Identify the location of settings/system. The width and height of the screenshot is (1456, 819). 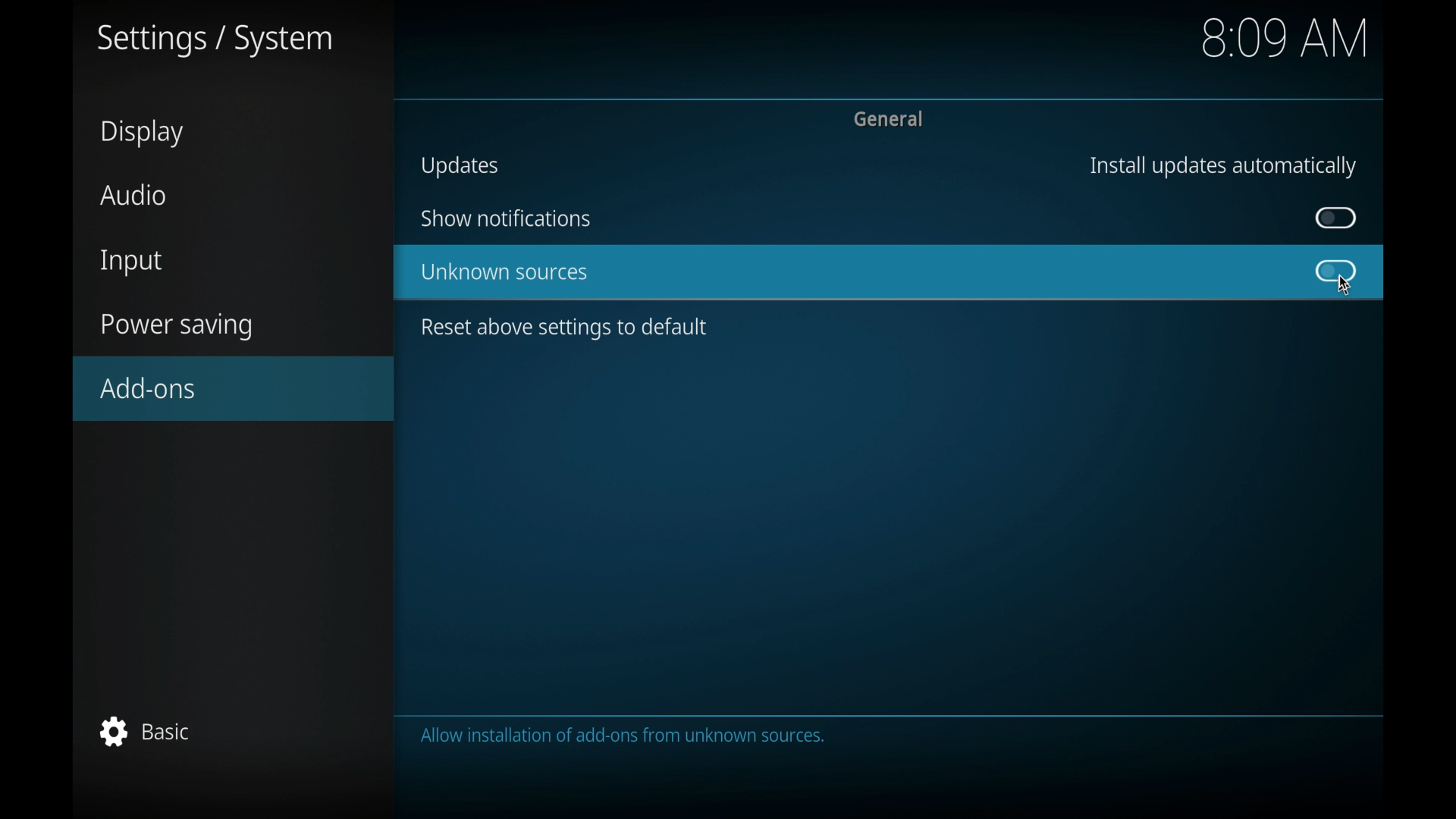
(215, 41).